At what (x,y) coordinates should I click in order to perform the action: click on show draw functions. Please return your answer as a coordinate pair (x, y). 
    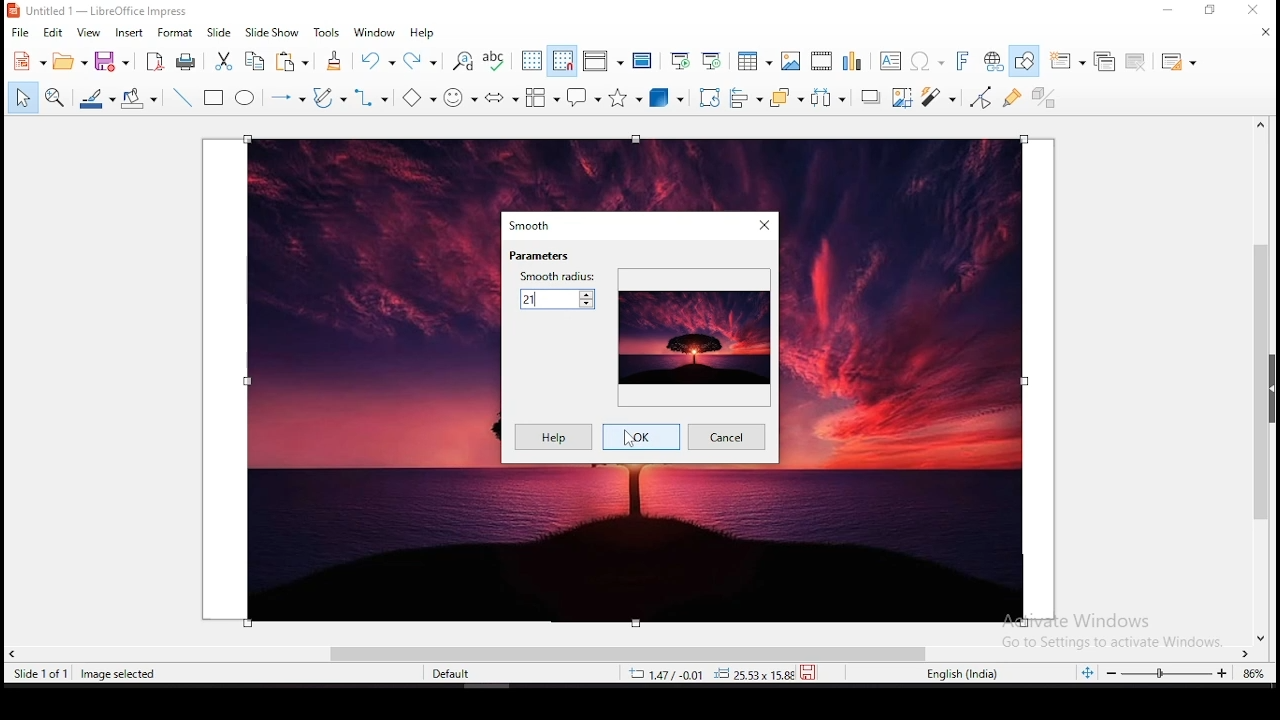
    Looking at the image, I should click on (1028, 60).